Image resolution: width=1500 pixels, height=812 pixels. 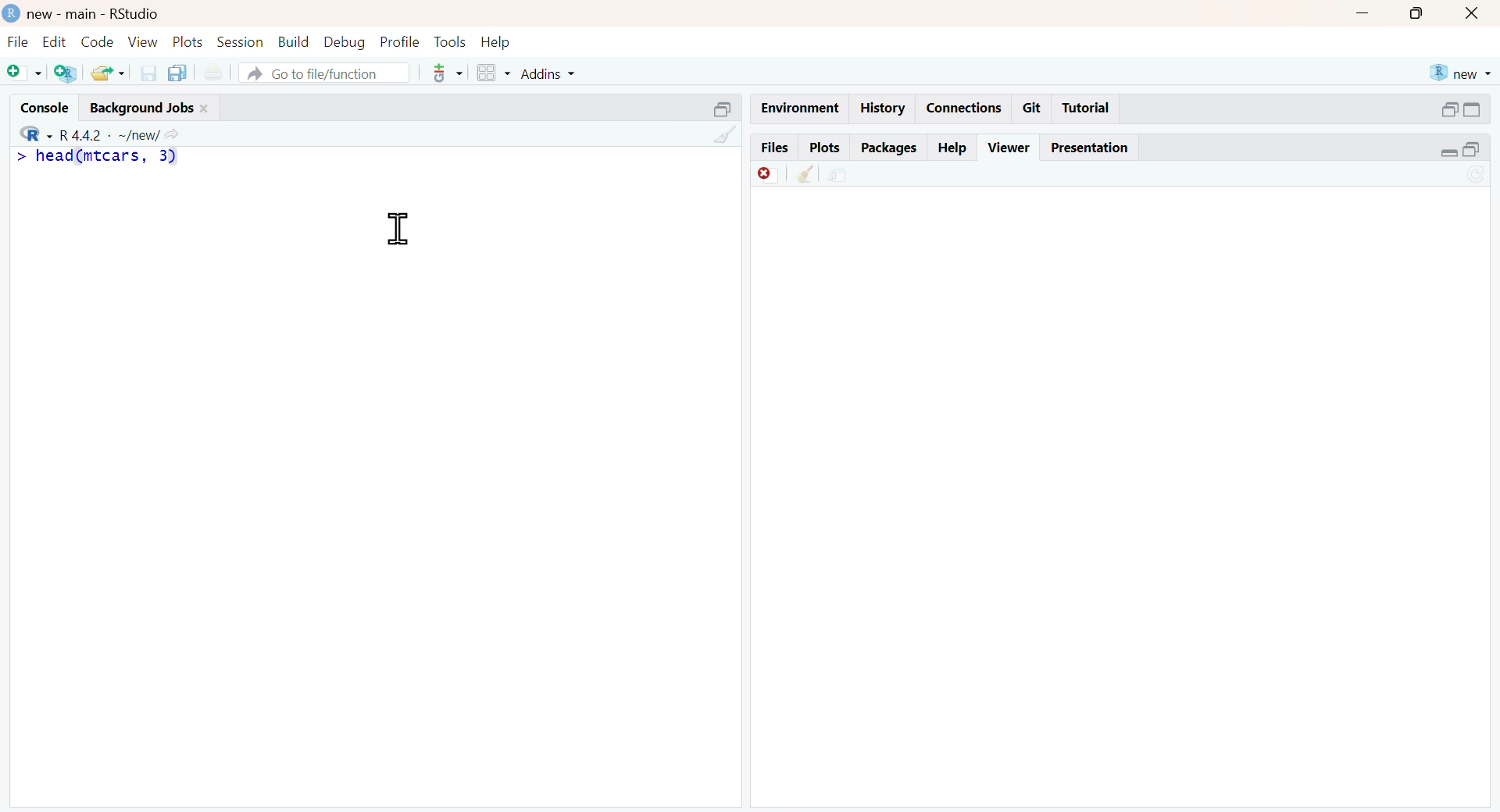 I want to click on ) new - main - RStudio, so click(x=114, y=13).